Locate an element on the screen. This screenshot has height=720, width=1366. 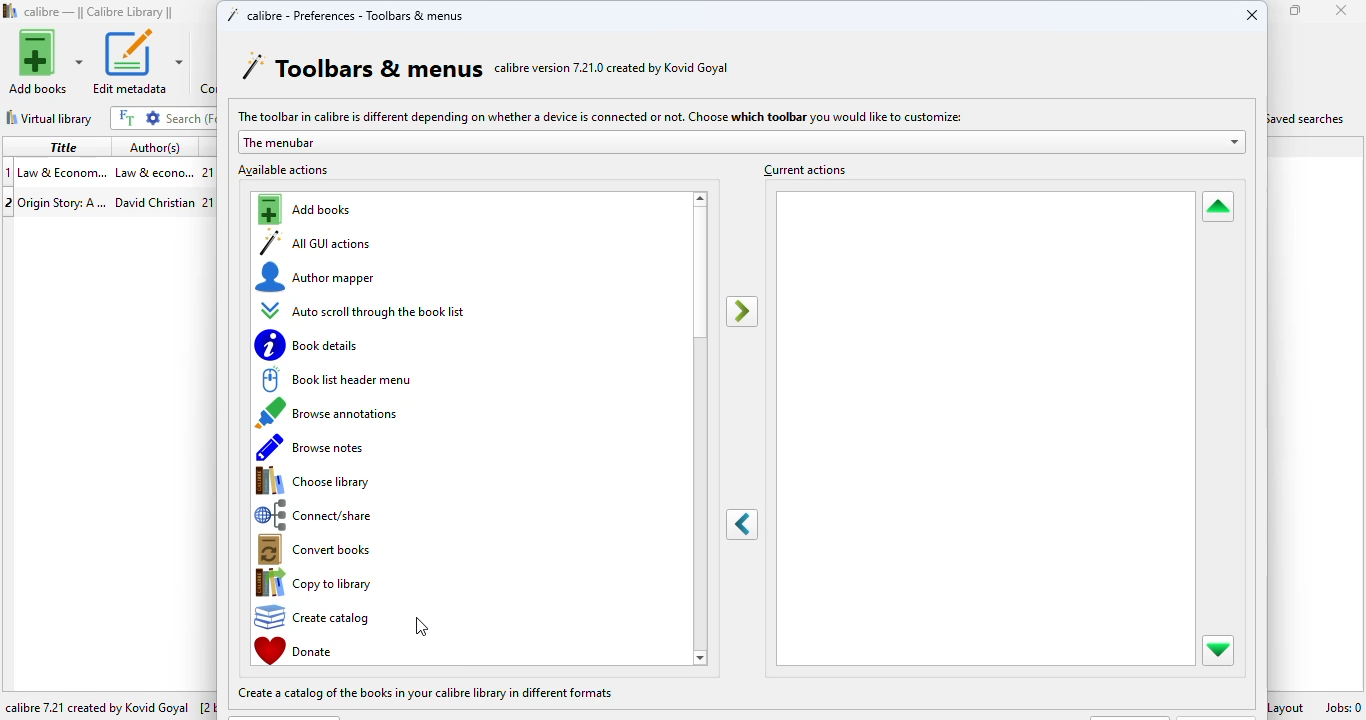
book list header menu is located at coordinates (336, 379).